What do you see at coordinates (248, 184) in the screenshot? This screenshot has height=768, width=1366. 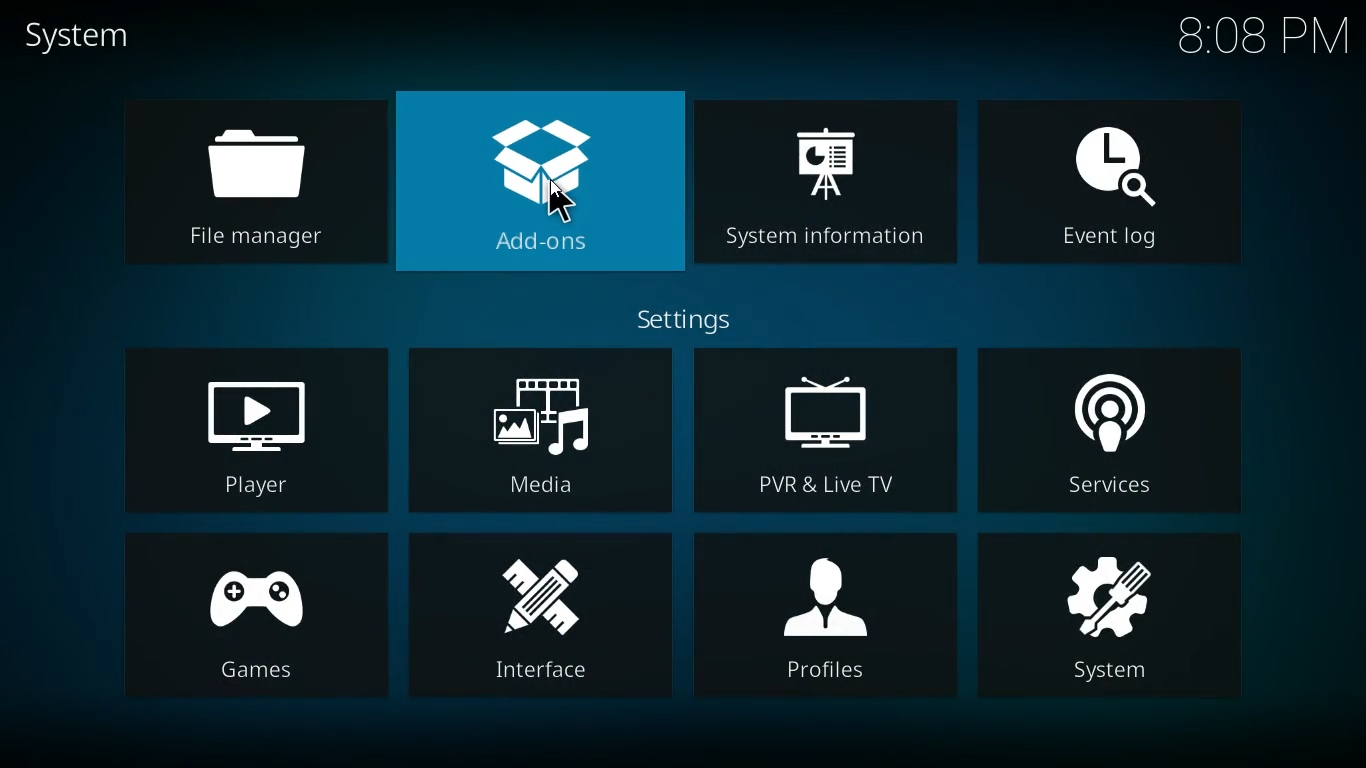 I see `file manager` at bounding box center [248, 184].